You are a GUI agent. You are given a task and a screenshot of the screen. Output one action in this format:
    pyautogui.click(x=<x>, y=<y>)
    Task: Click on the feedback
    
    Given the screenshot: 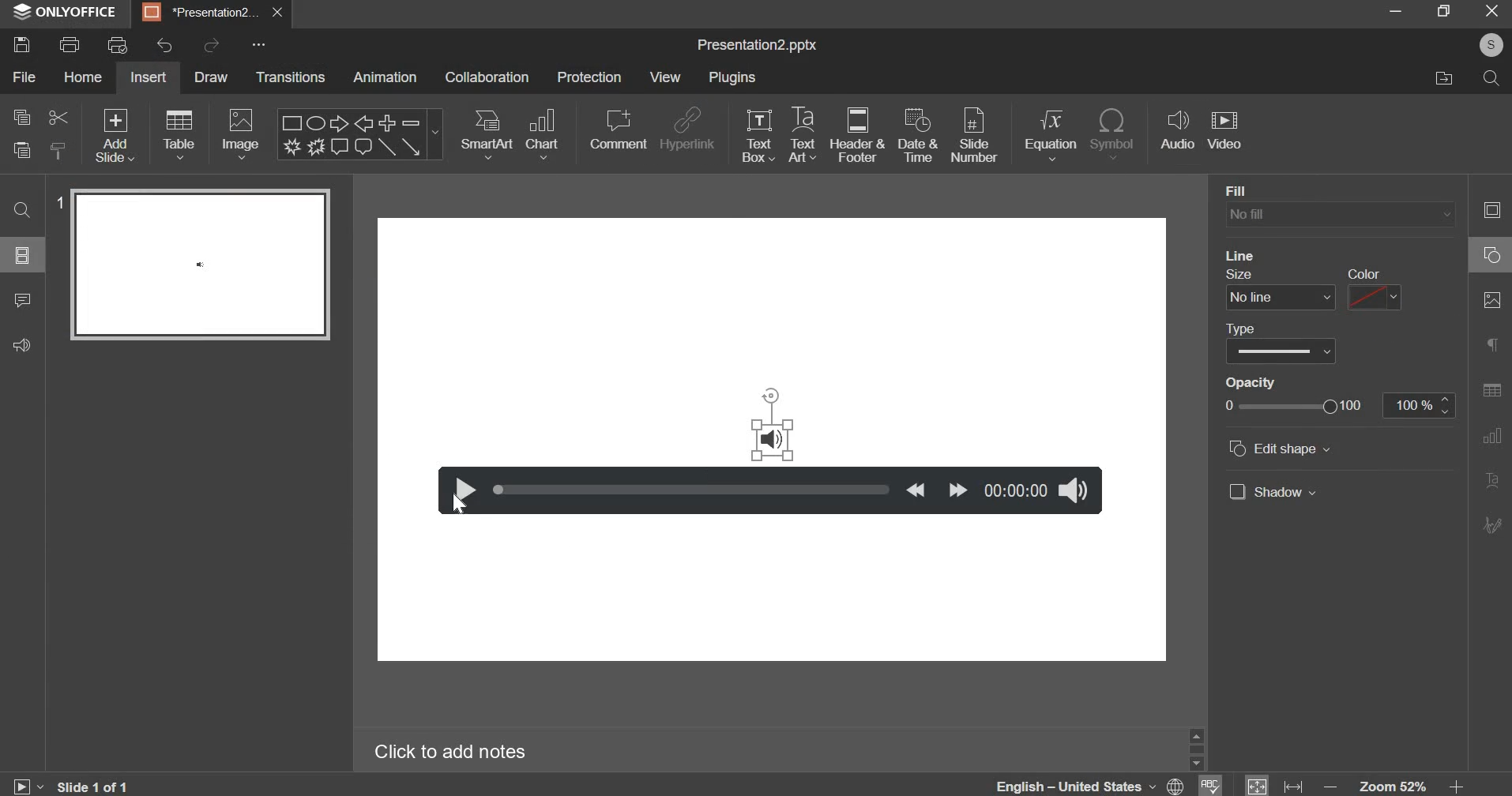 What is the action you would take?
    pyautogui.click(x=28, y=346)
    